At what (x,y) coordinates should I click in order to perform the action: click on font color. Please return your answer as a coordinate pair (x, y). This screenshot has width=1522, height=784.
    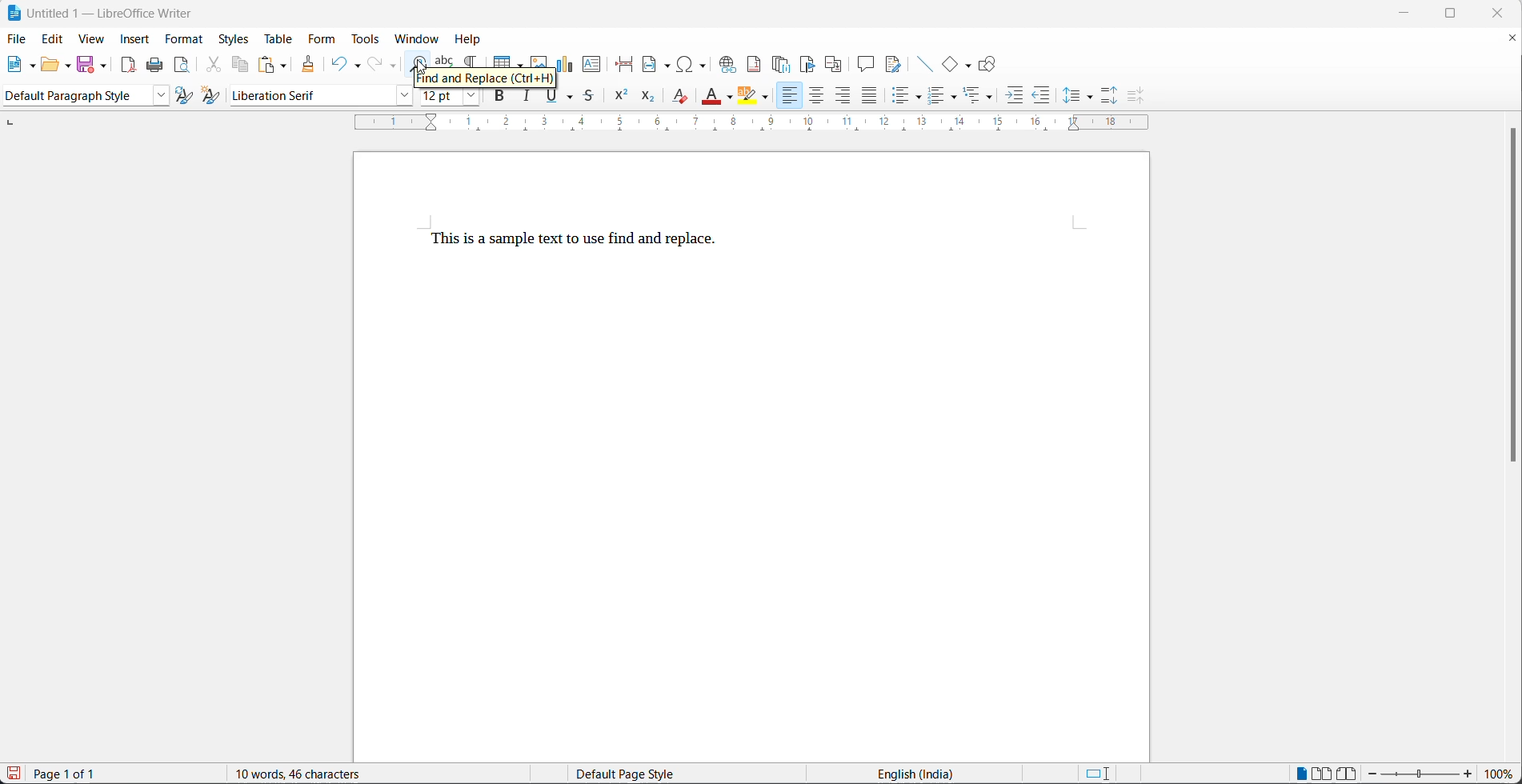
    Looking at the image, I should click on (712, 95).